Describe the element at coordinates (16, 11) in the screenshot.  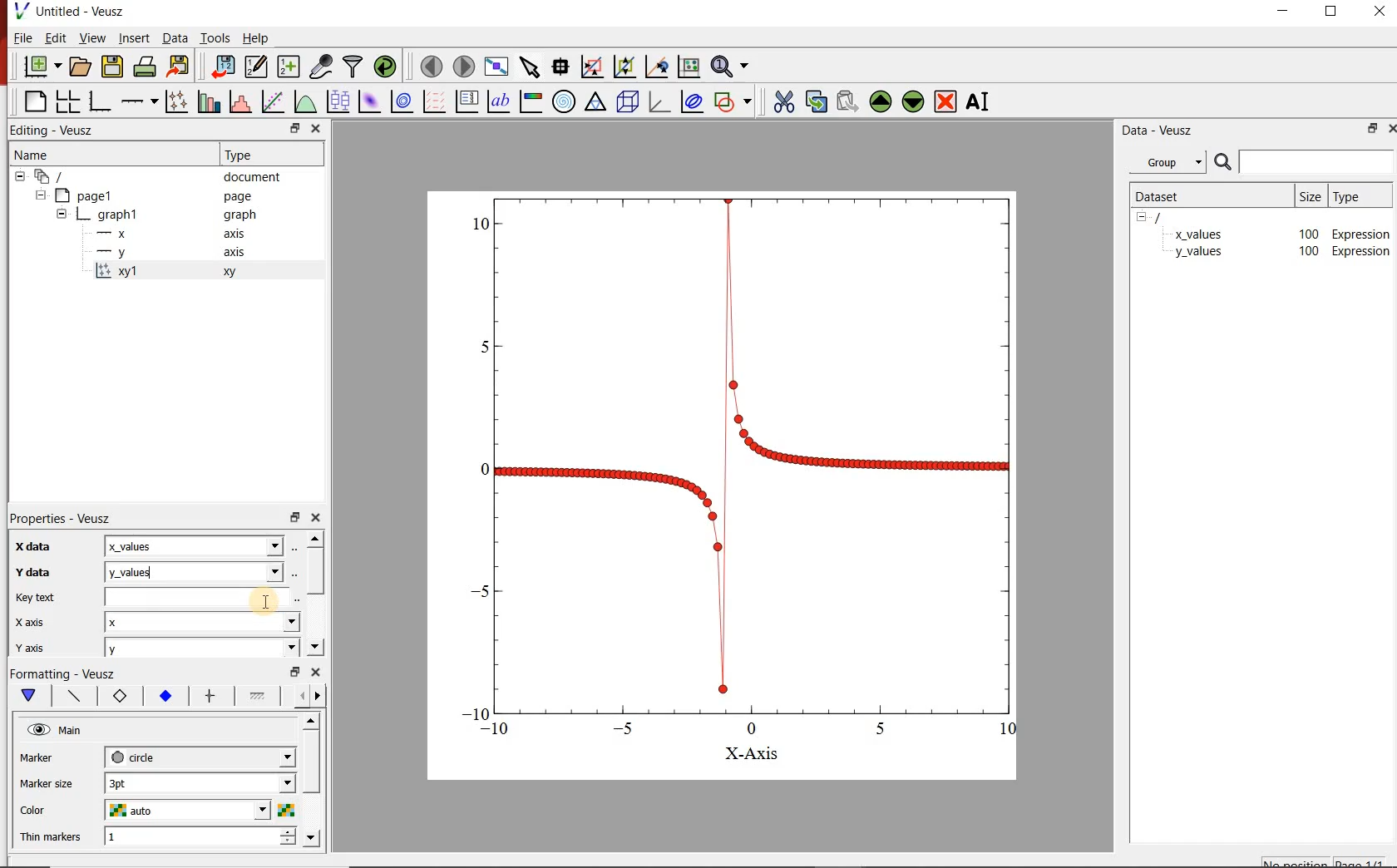
I see `veusz logo` at that location.